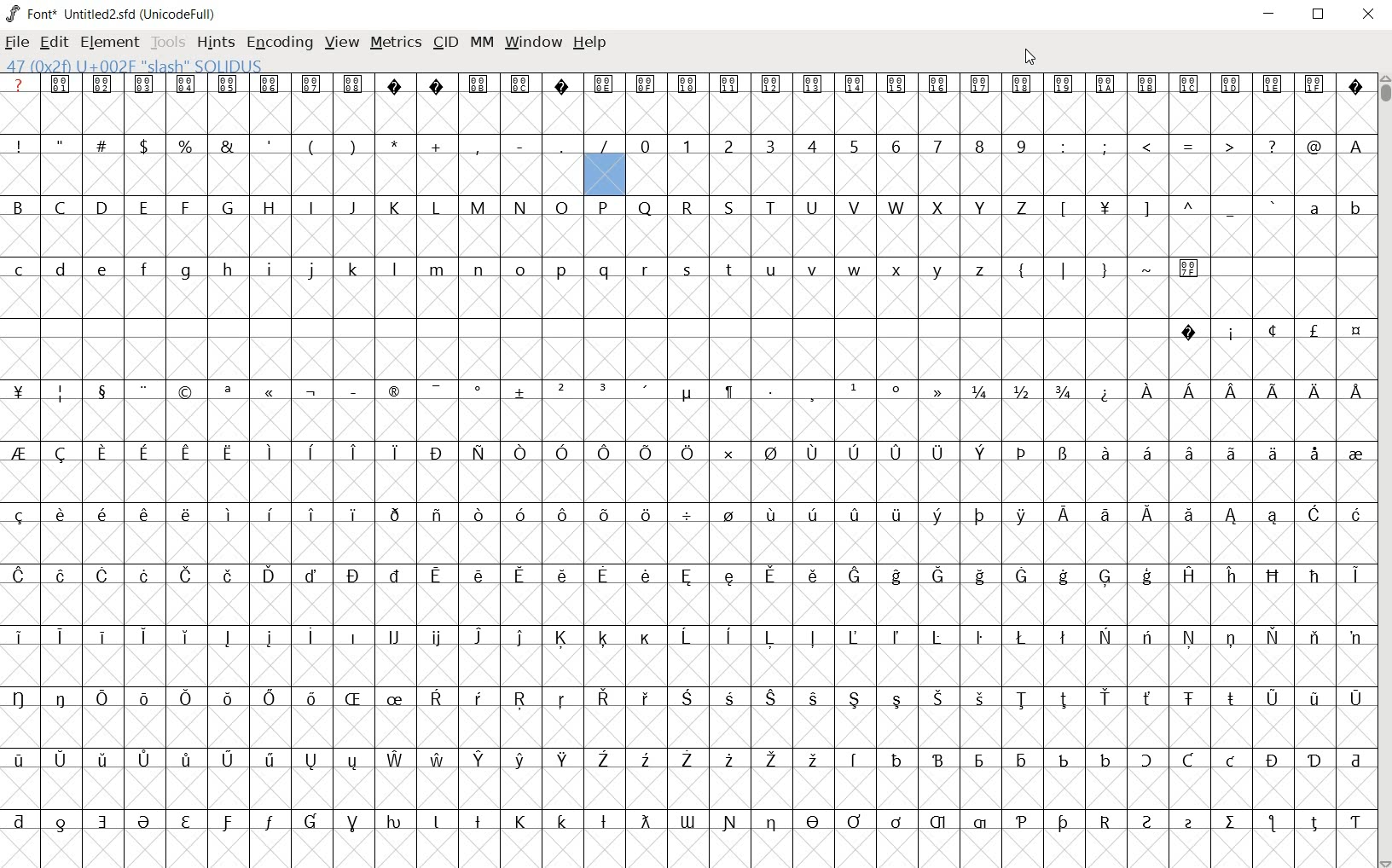  I want to click on 47(0*2f)U+002F "SLASH" SOLIDUS, so click(604, 173).